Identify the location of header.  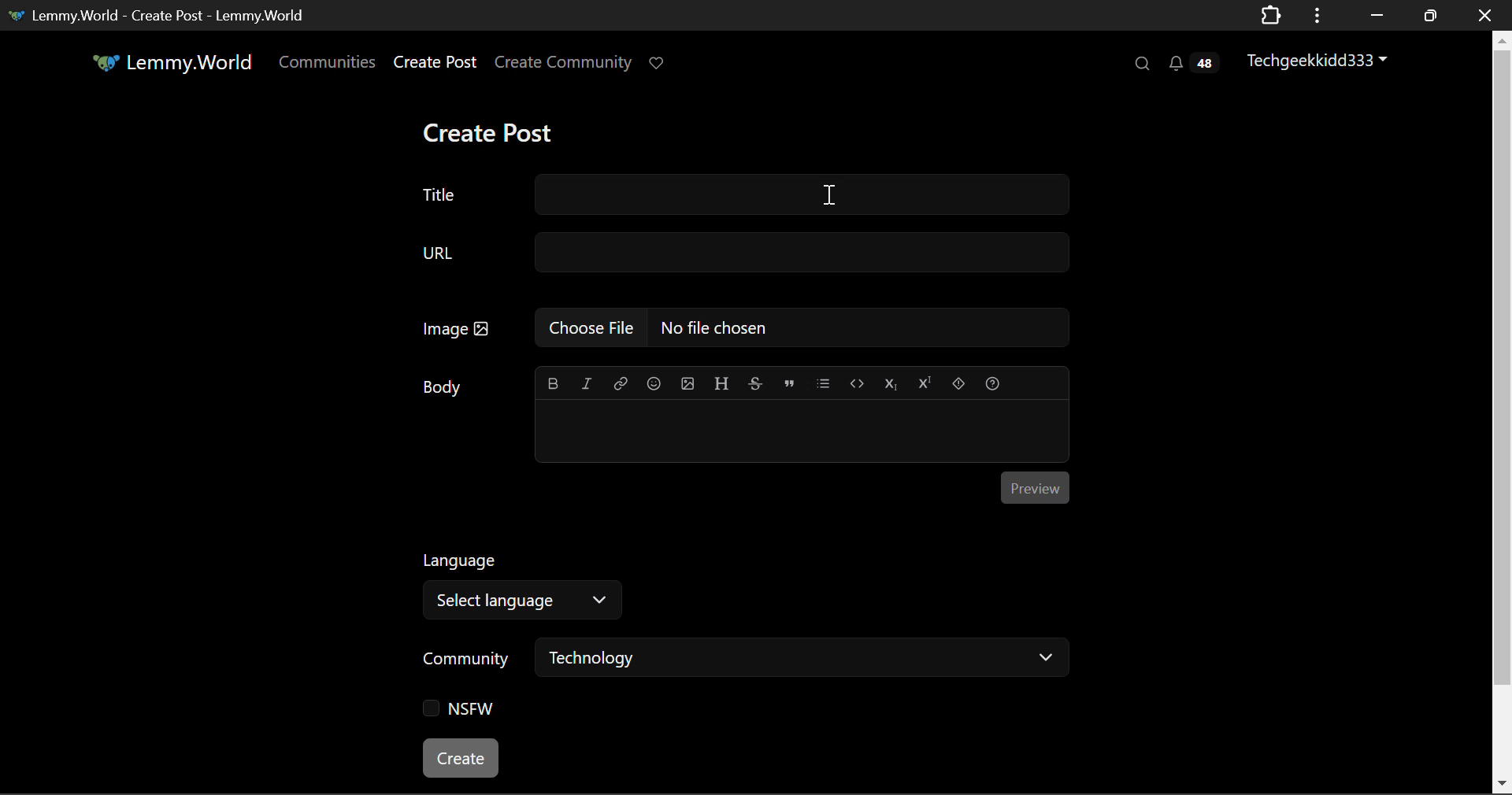
(721, 381).